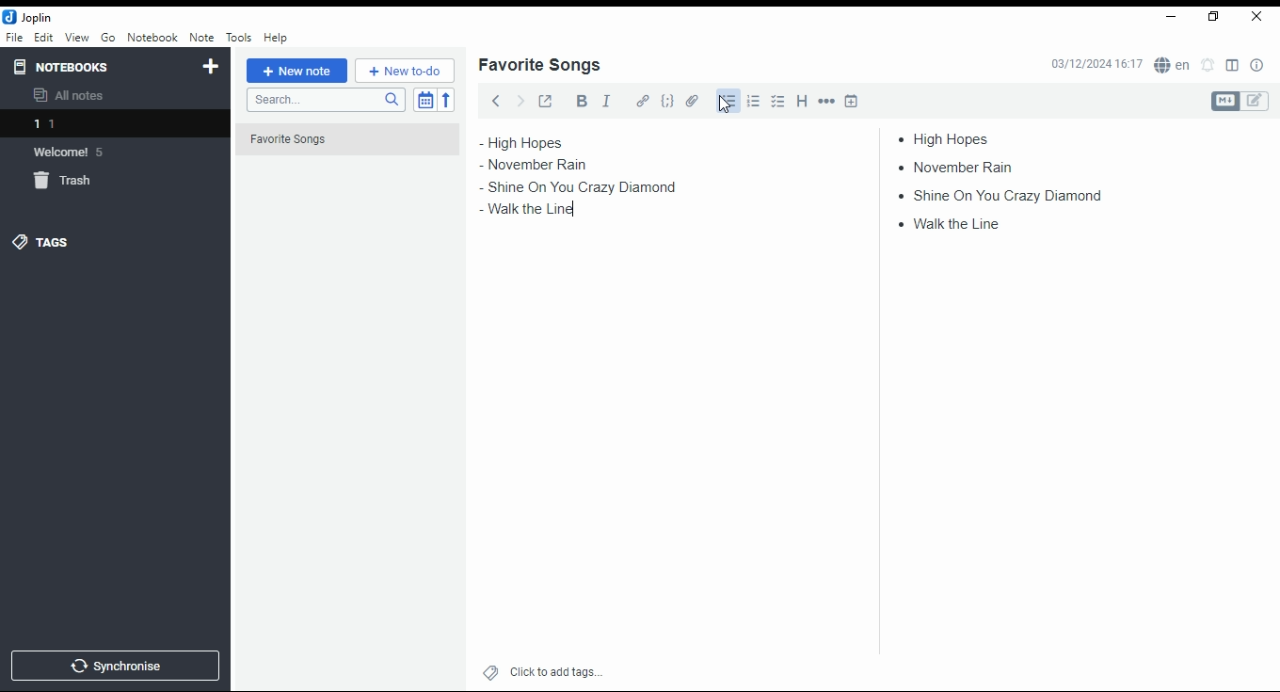  What do you see at coordinates (1240, 101) in the screenshot?
I see `toggle editors` at bounding box center [1240, 101].